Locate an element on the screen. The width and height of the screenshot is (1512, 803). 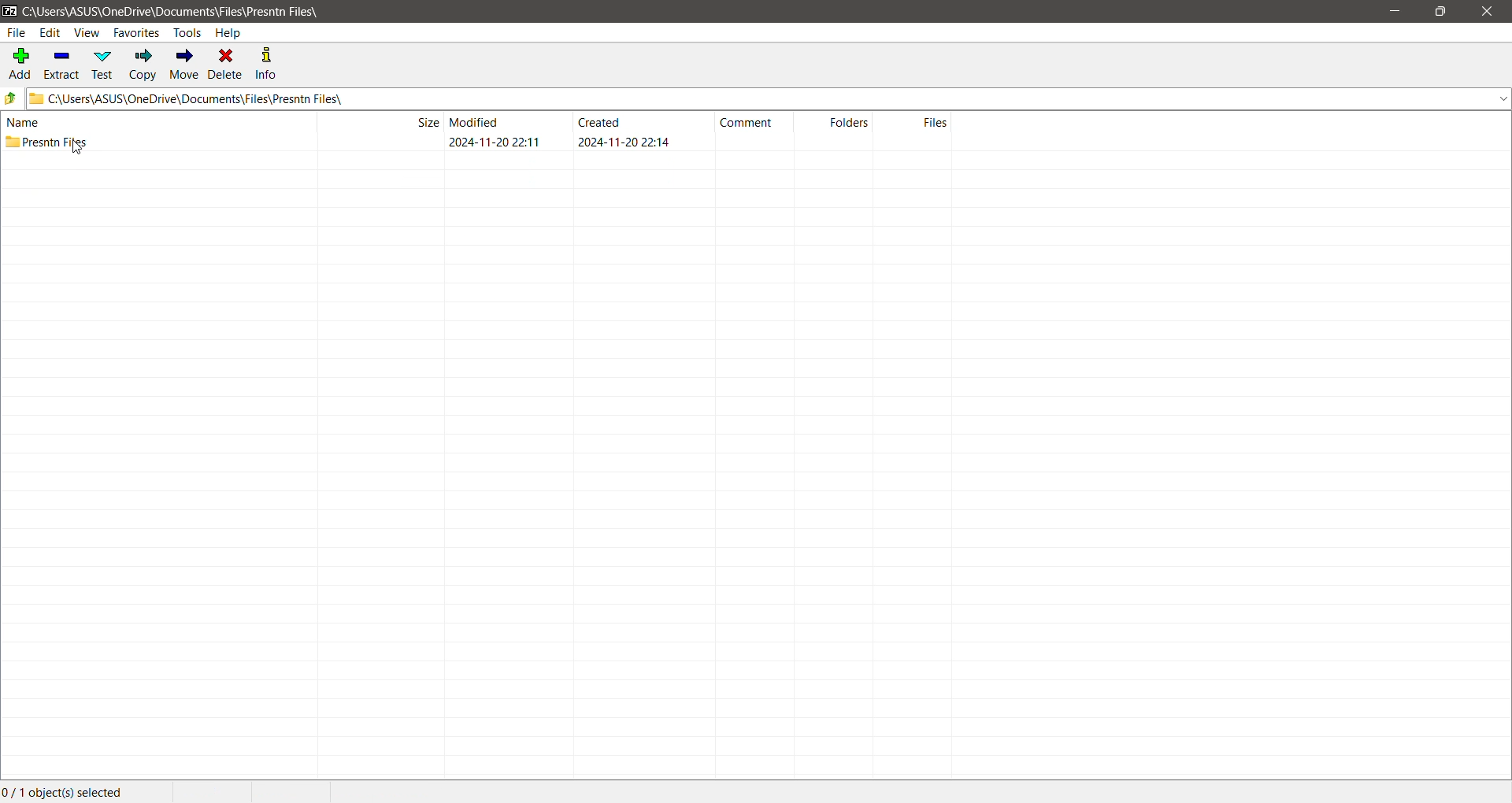
Extracted Folder is located at coordinates (46, 141).